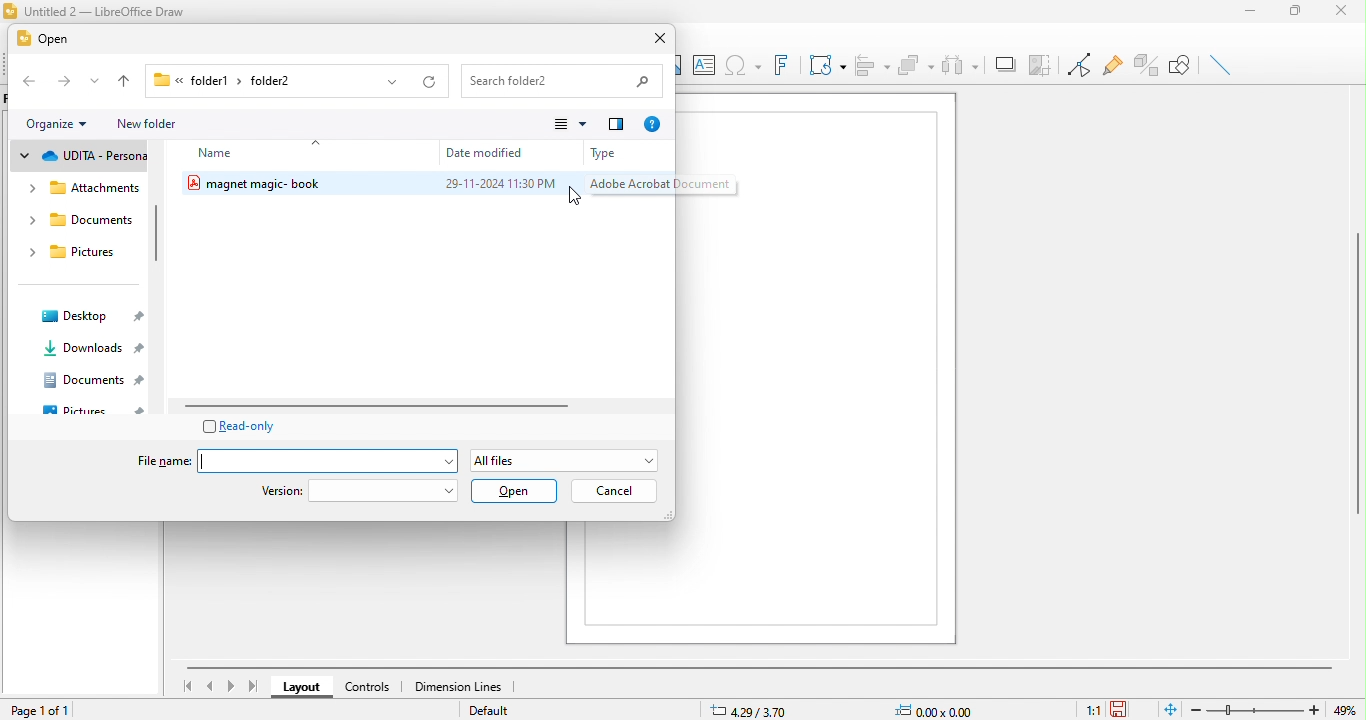  Describe the element at coordinates (55, 125) in the screenshot. I see `organize` at that location.